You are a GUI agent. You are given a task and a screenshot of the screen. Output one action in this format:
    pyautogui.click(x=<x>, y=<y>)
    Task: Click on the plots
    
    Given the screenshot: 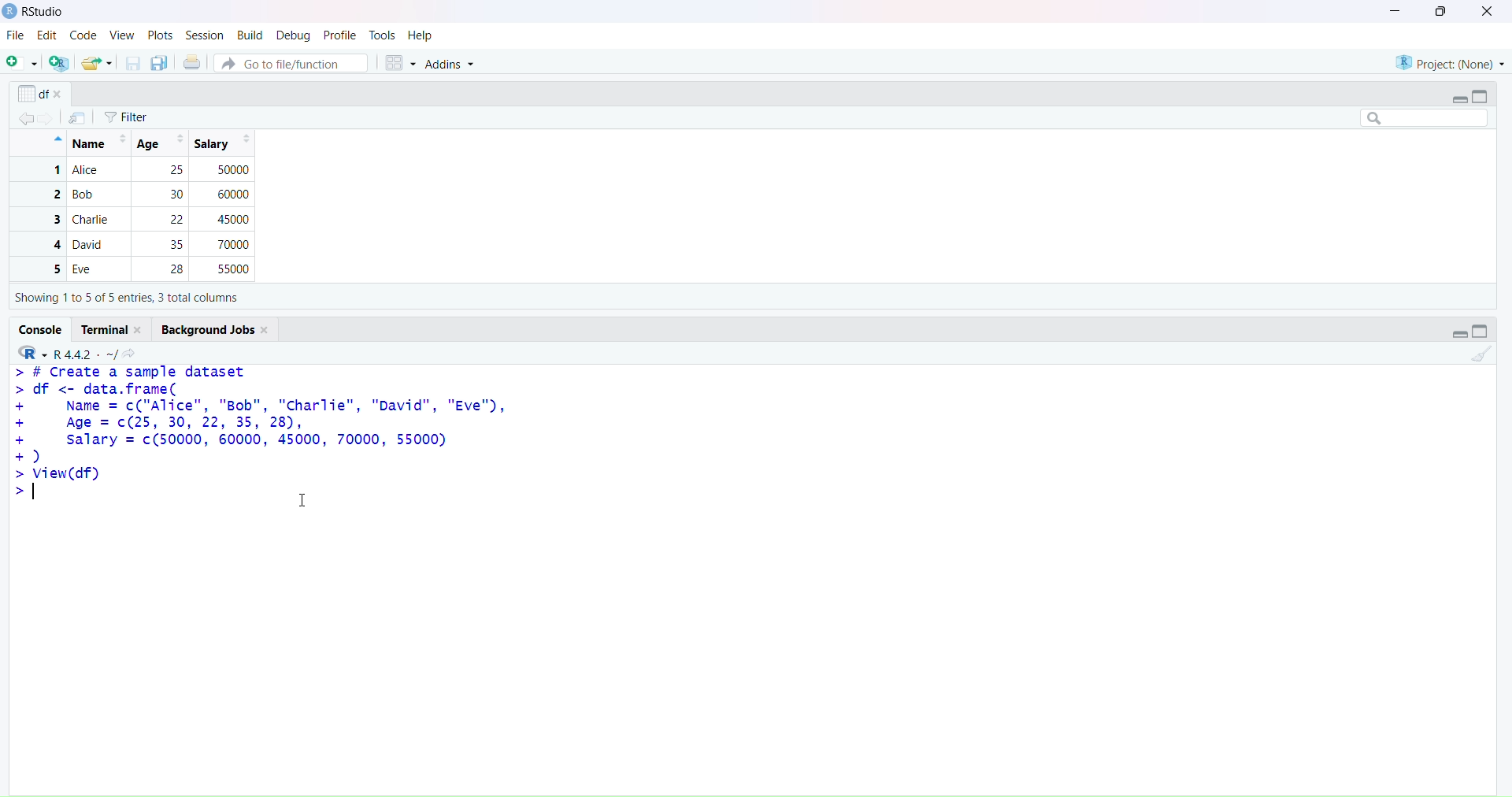 What is the action you would take?
    pyautogui.click(x=160, y=35)
    